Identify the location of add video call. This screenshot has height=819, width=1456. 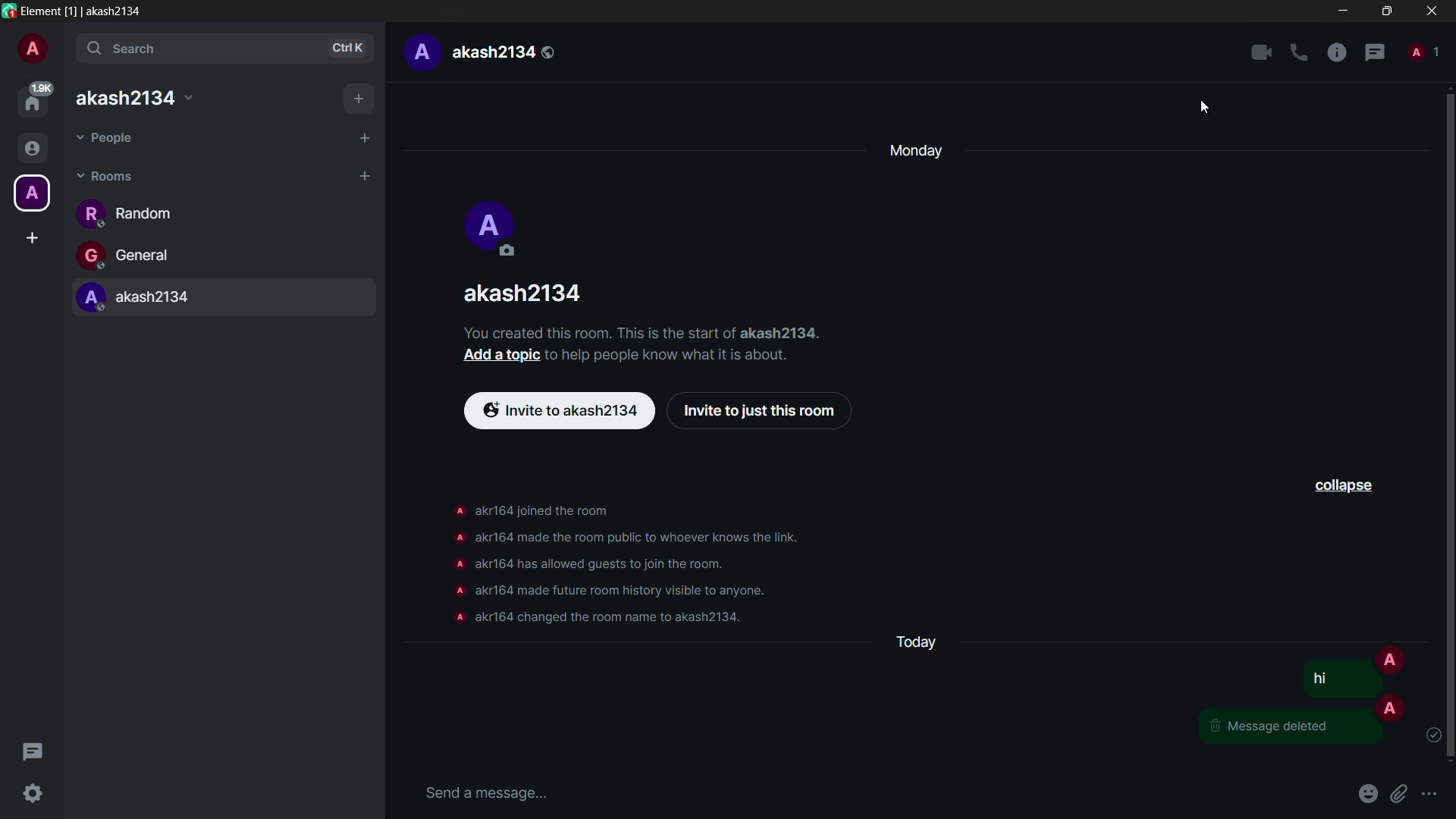
(1261, 52).